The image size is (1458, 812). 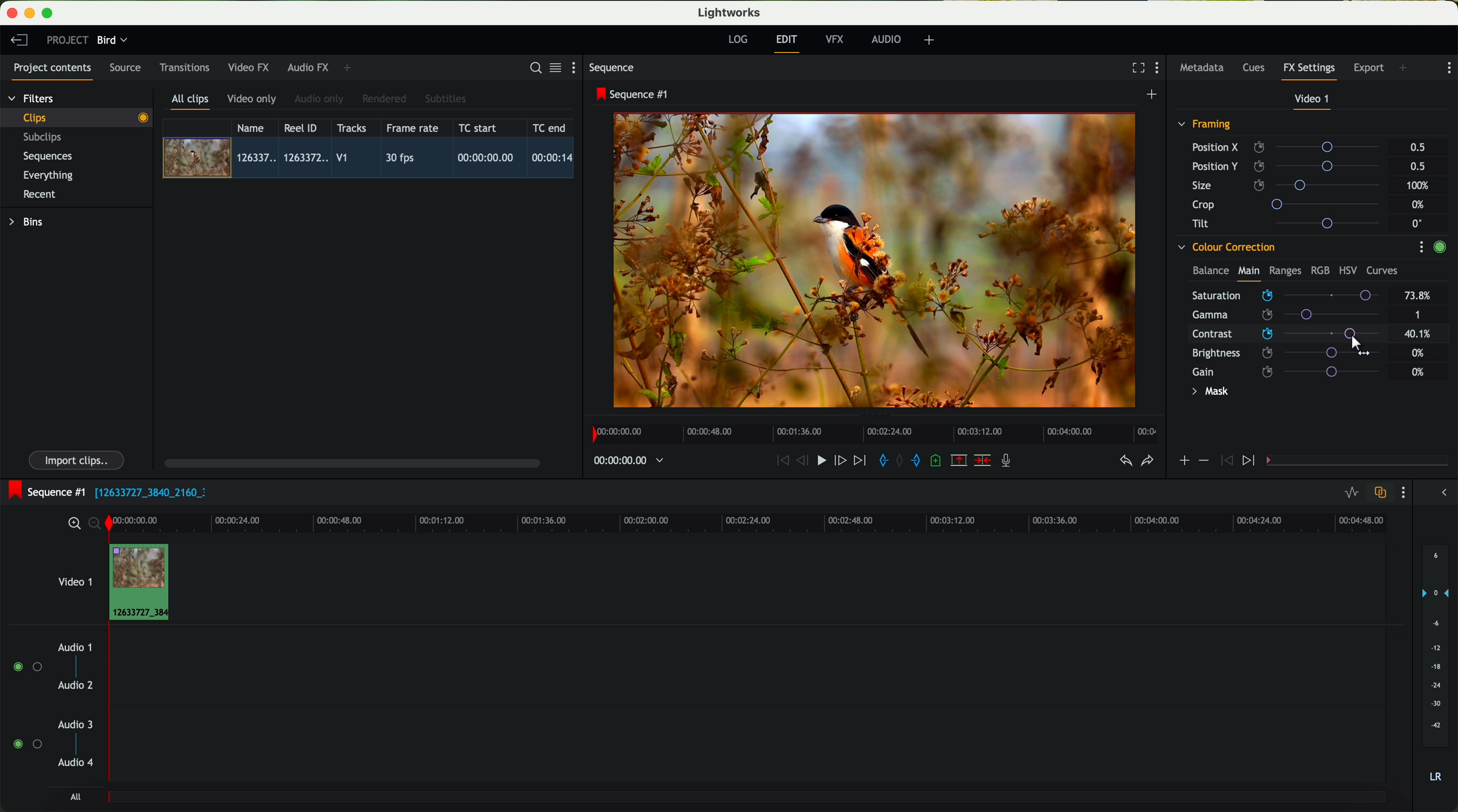 What do you see at coordinates (350, 128) in the screenshot?
I see `tracks` at bounding box center [350, 128].